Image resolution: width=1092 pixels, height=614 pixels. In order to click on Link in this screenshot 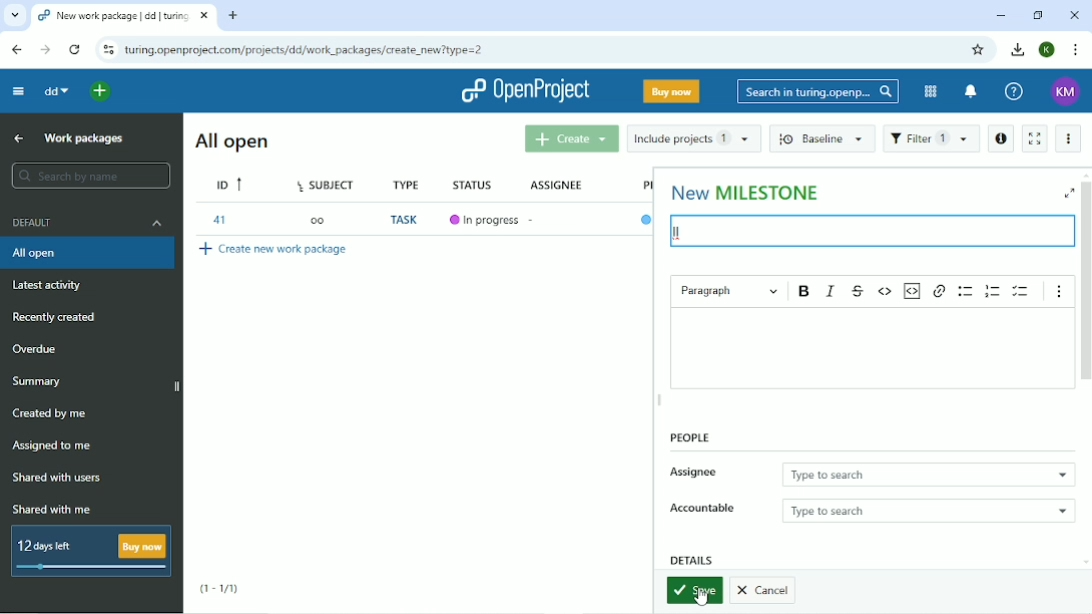, I will do `click(939, 292)`.